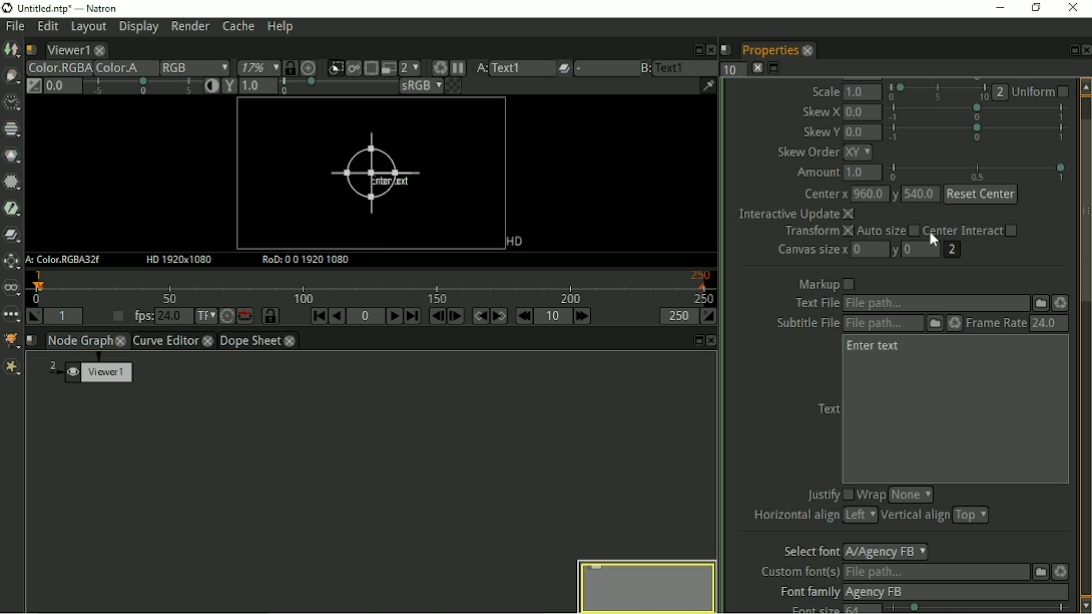  I want to click on Checkerboard, so click(455, 87).